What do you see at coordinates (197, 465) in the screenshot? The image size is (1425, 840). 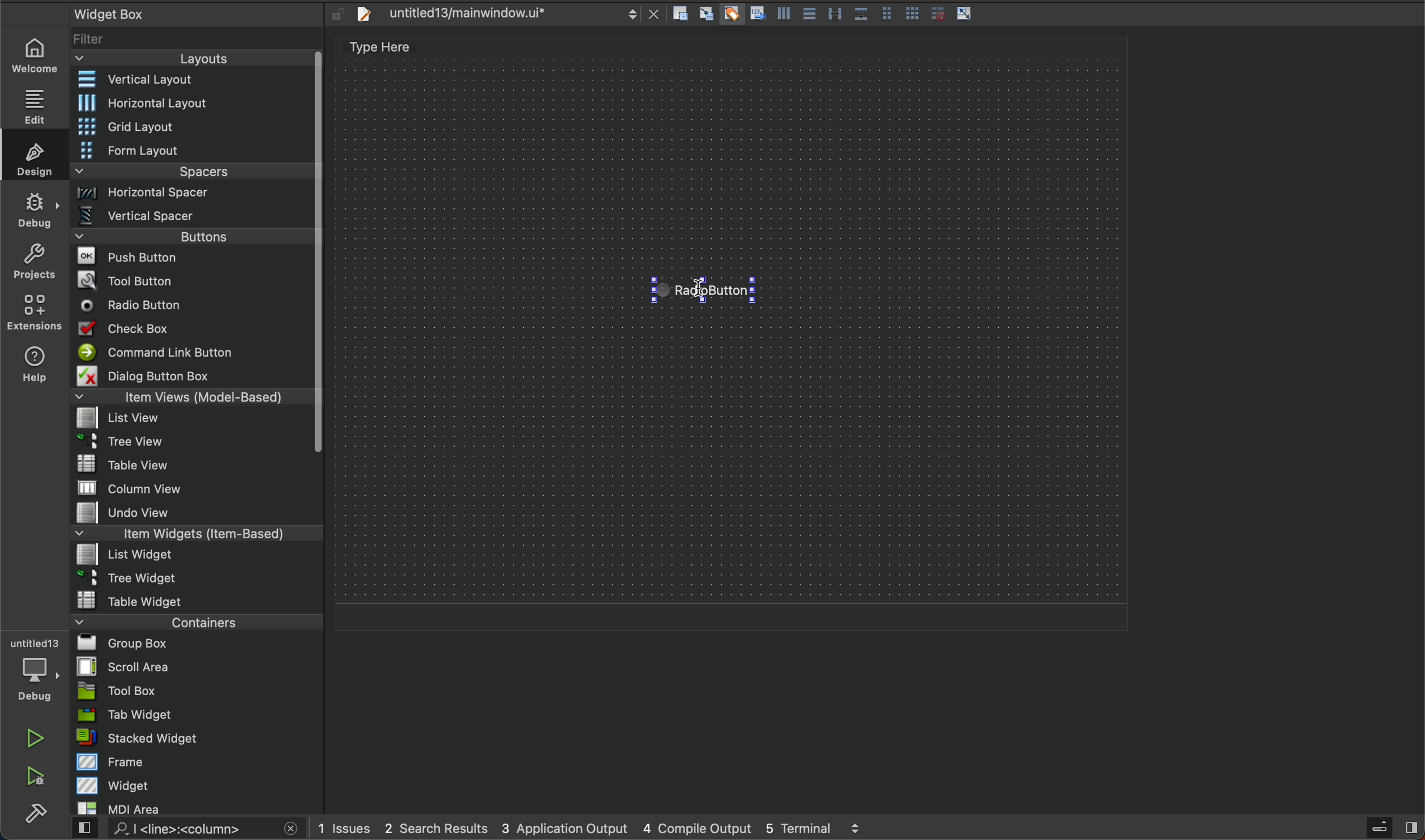 I see `table view` at bounding box center [197, 465].